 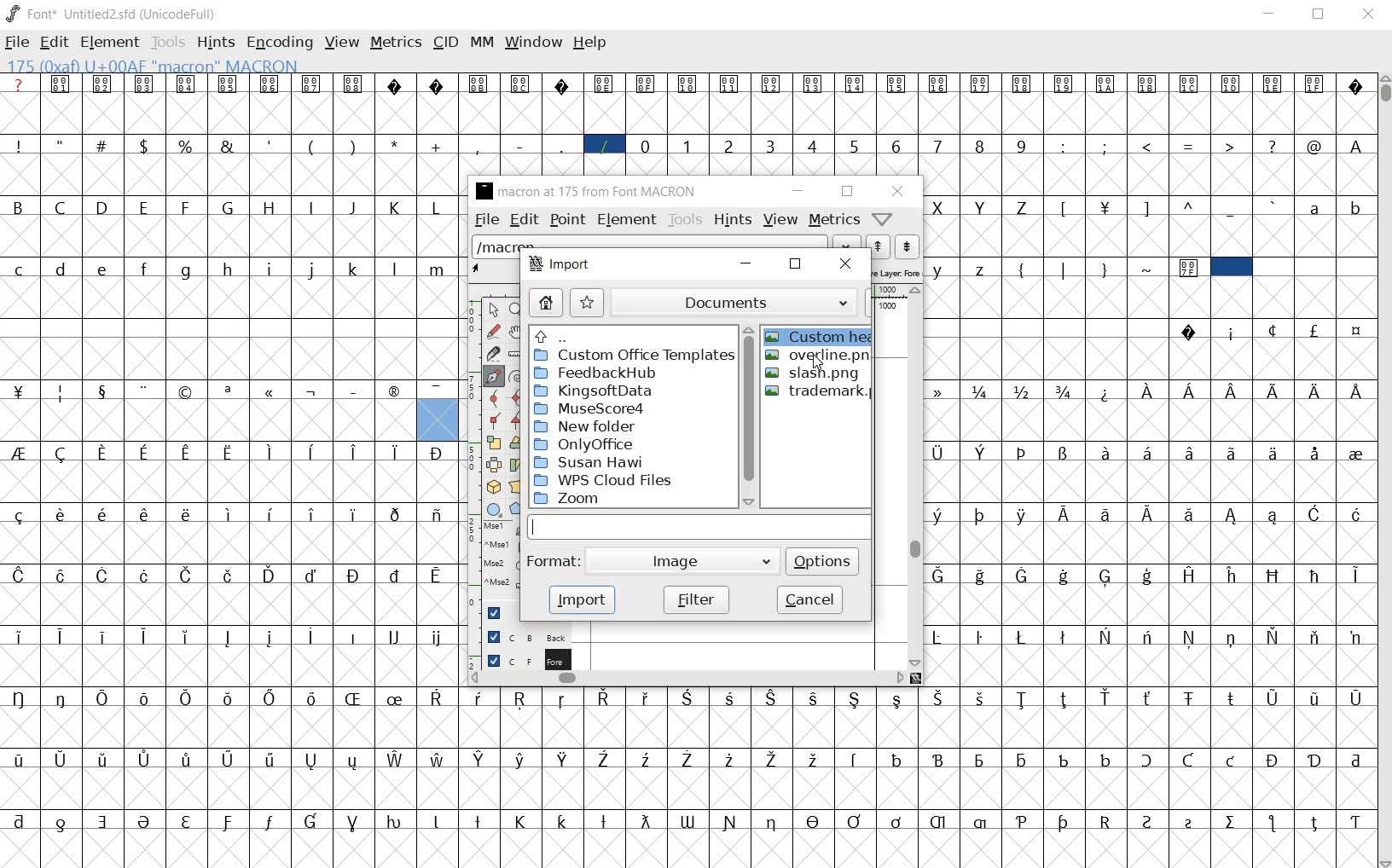 What do you see at coordinates (731, 758) in the screenshot?
I see `Symbol` at bounding box center [731, 758].